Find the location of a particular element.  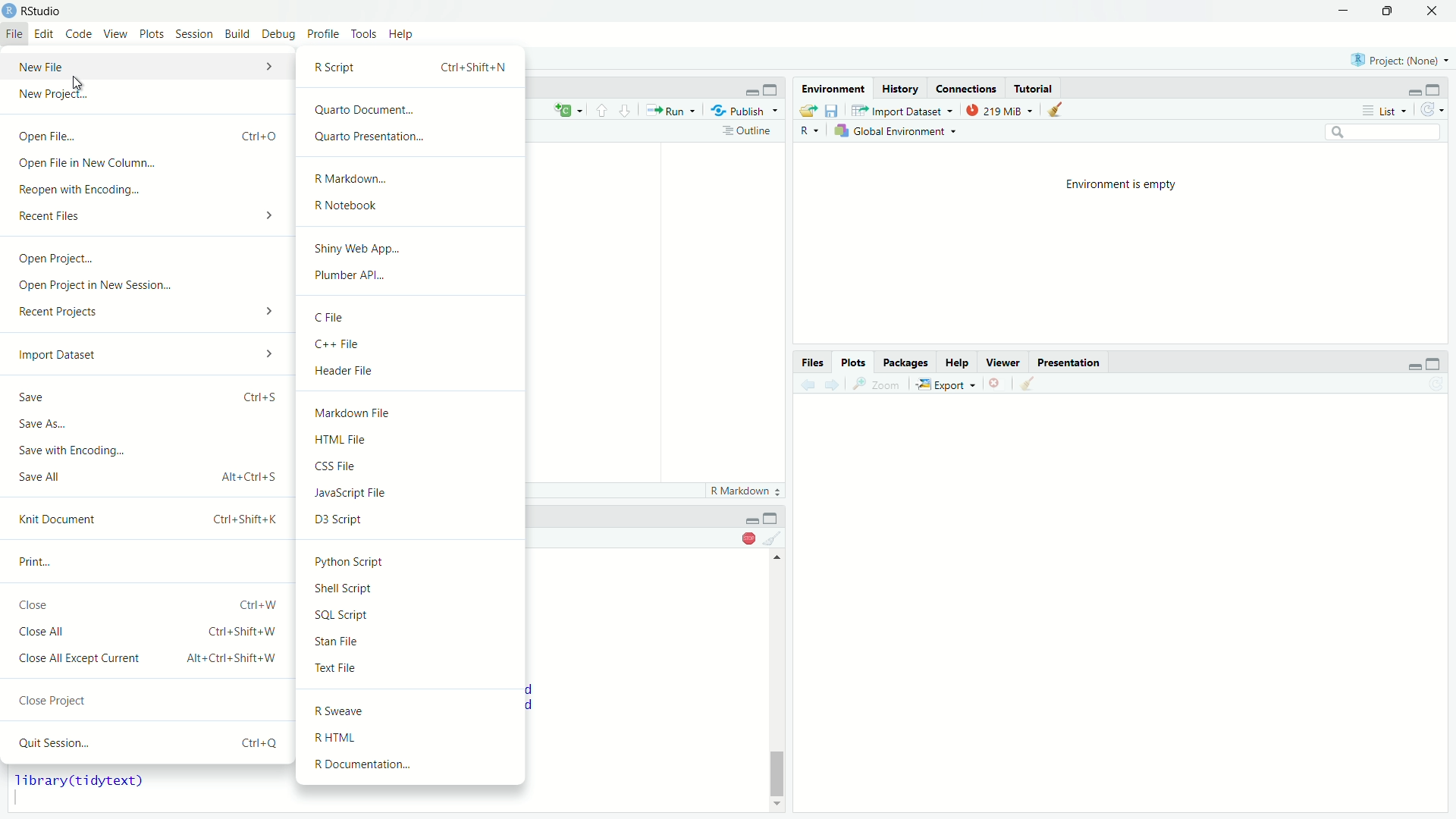

Edit is located at coordinates (43, 34).